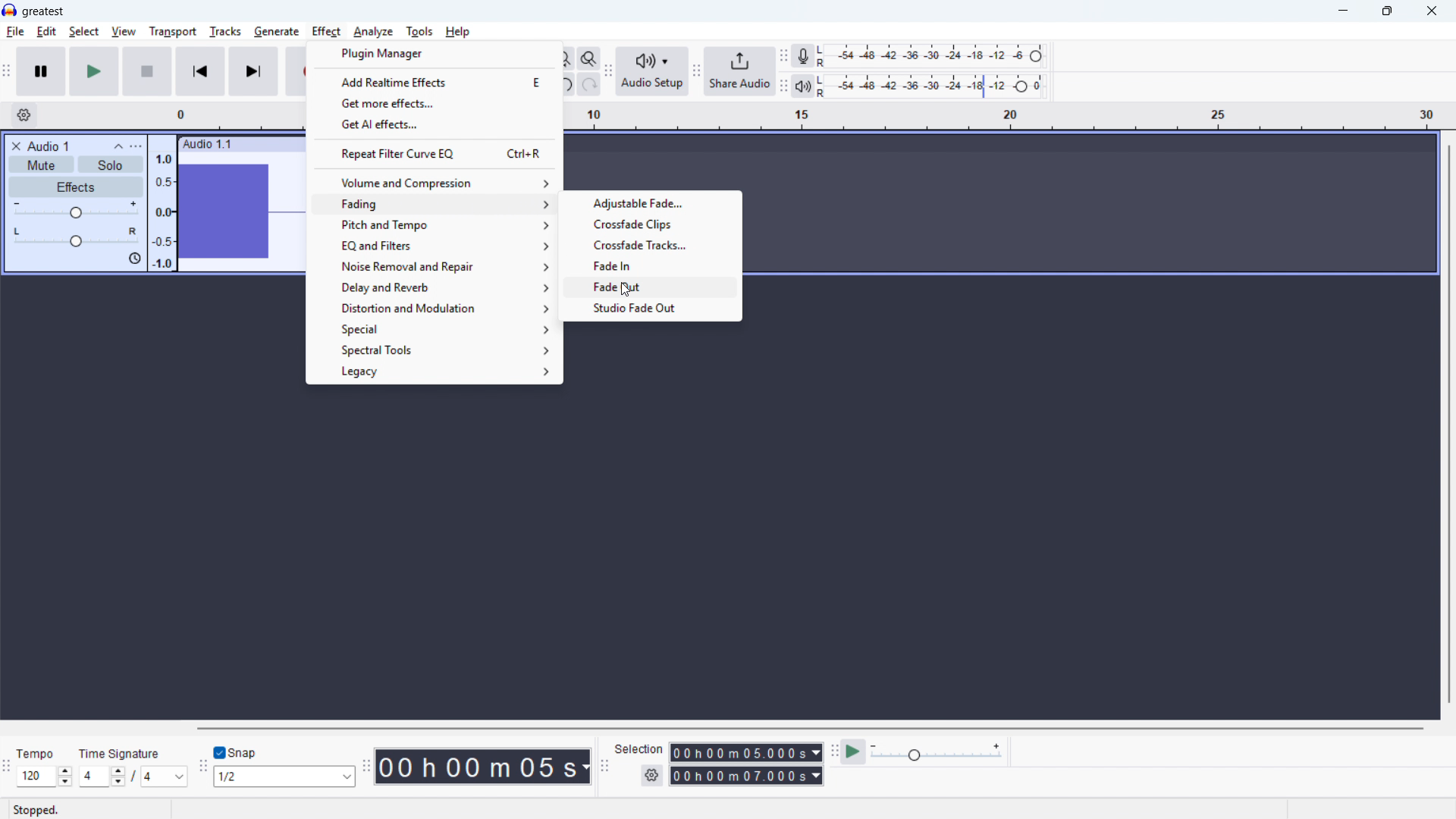 This screenshot has height=819, width=1456. I want to click on transport toolbar, so click(7, 73).